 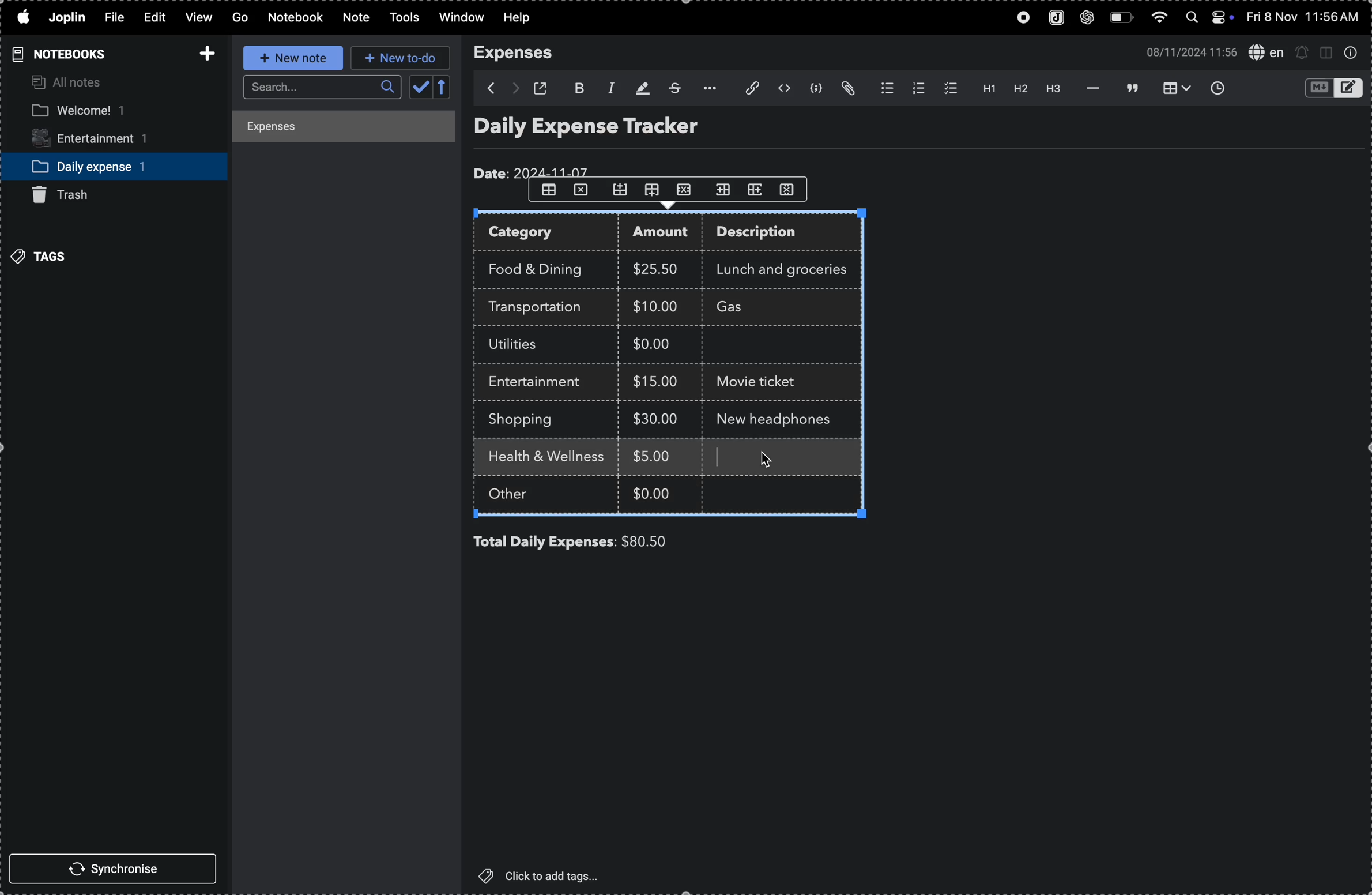 I want to click on trash, so click(x=70, y=195).